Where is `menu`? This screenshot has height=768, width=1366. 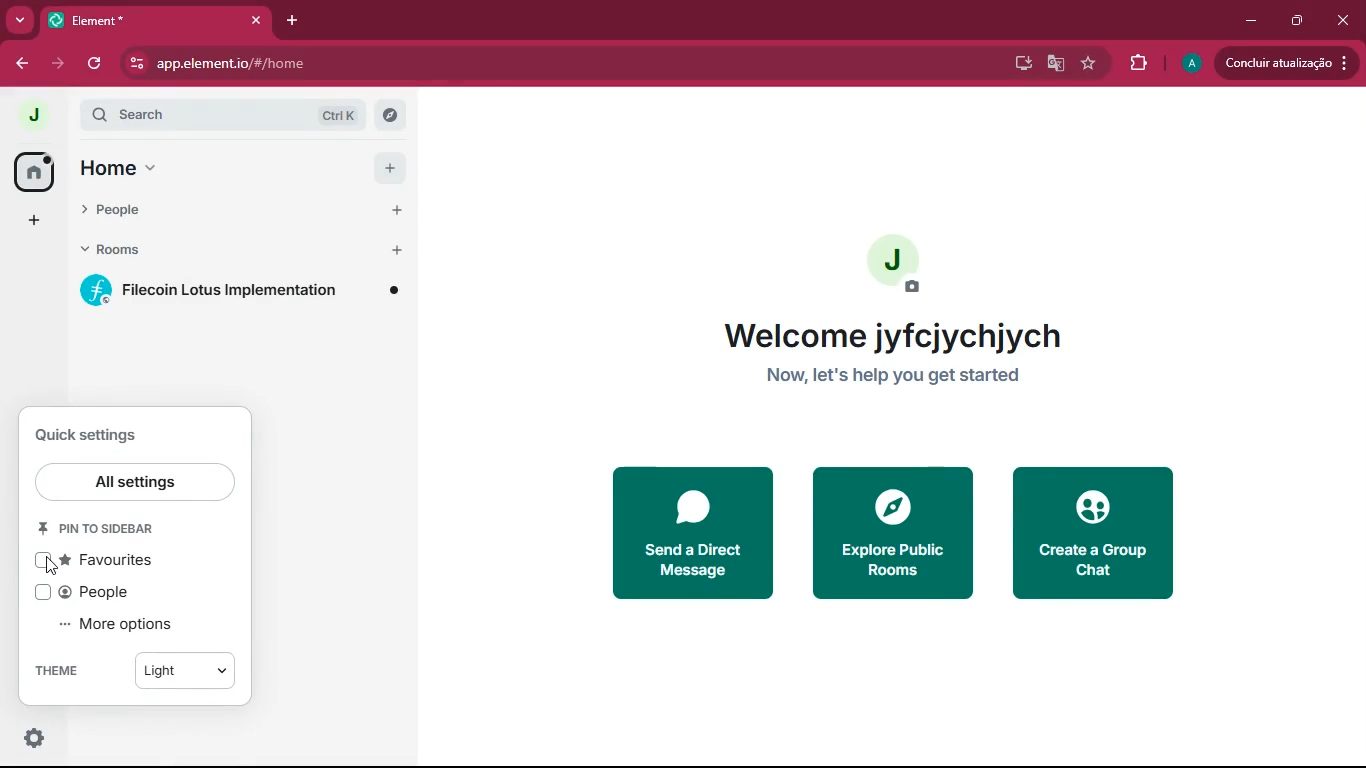
menu is located at coordinates (155, 172).